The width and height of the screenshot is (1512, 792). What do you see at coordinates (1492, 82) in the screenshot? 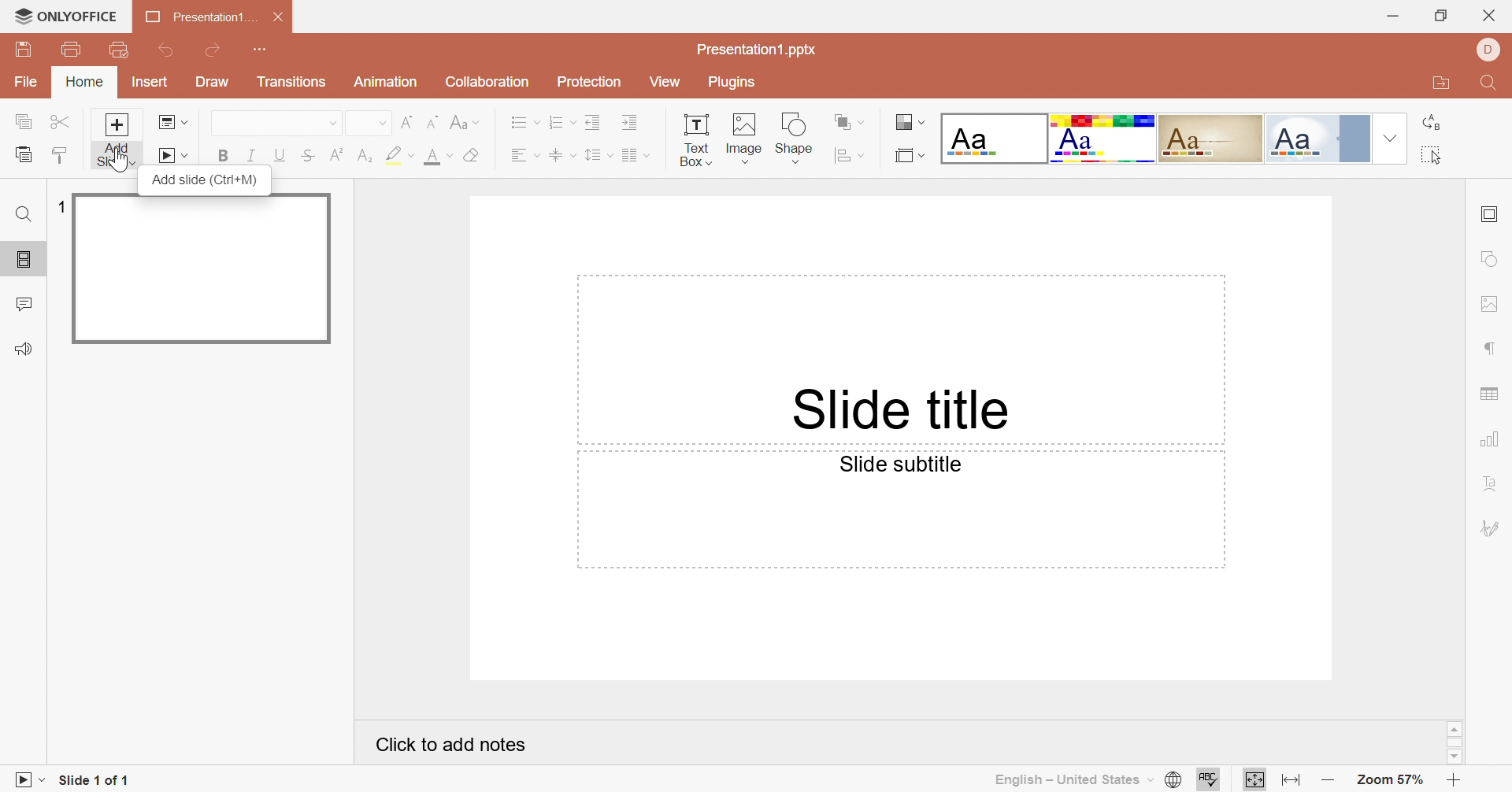
I see `Find` at bounding box center [1492, 82].